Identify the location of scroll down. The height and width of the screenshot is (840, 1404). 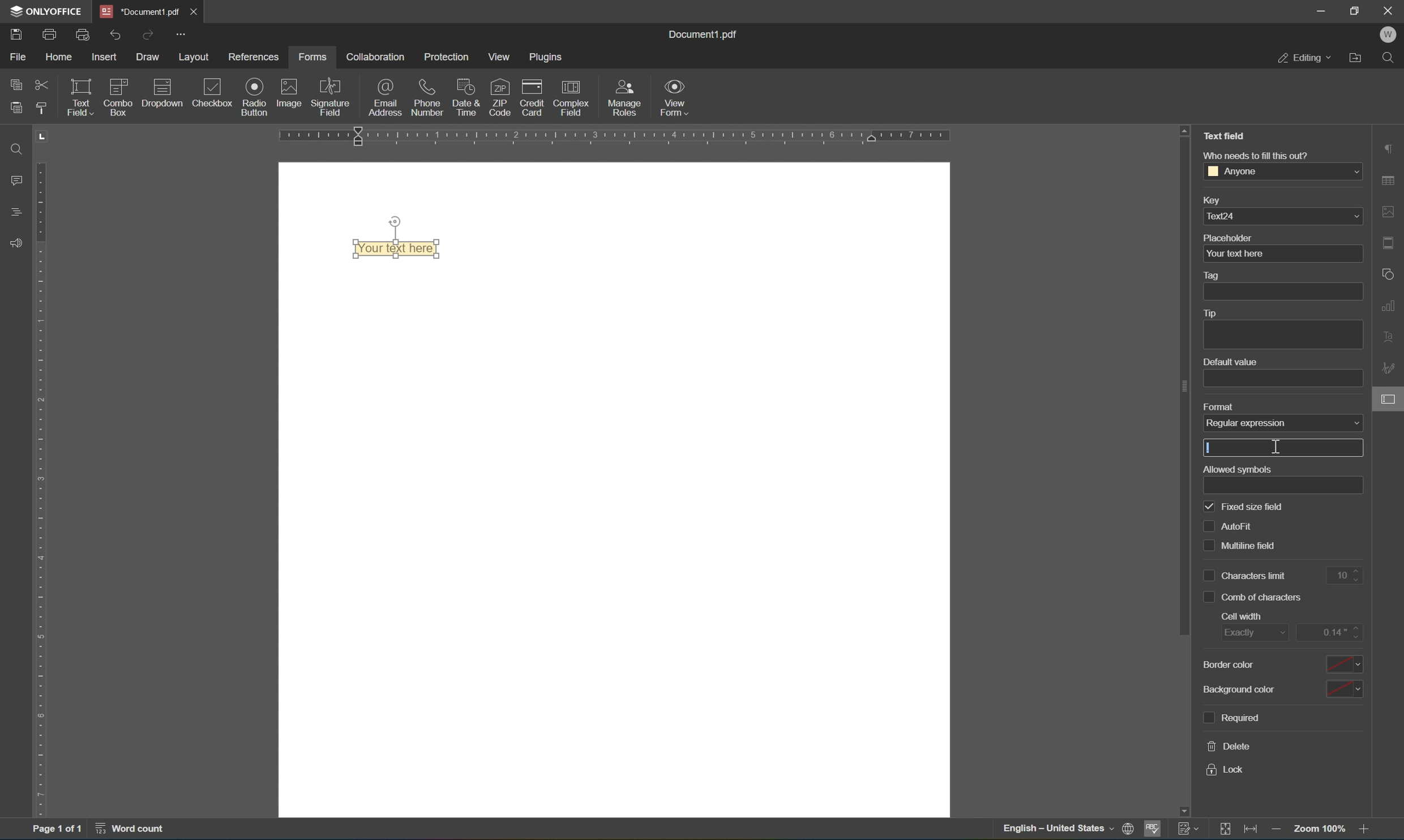
(1183, 811).